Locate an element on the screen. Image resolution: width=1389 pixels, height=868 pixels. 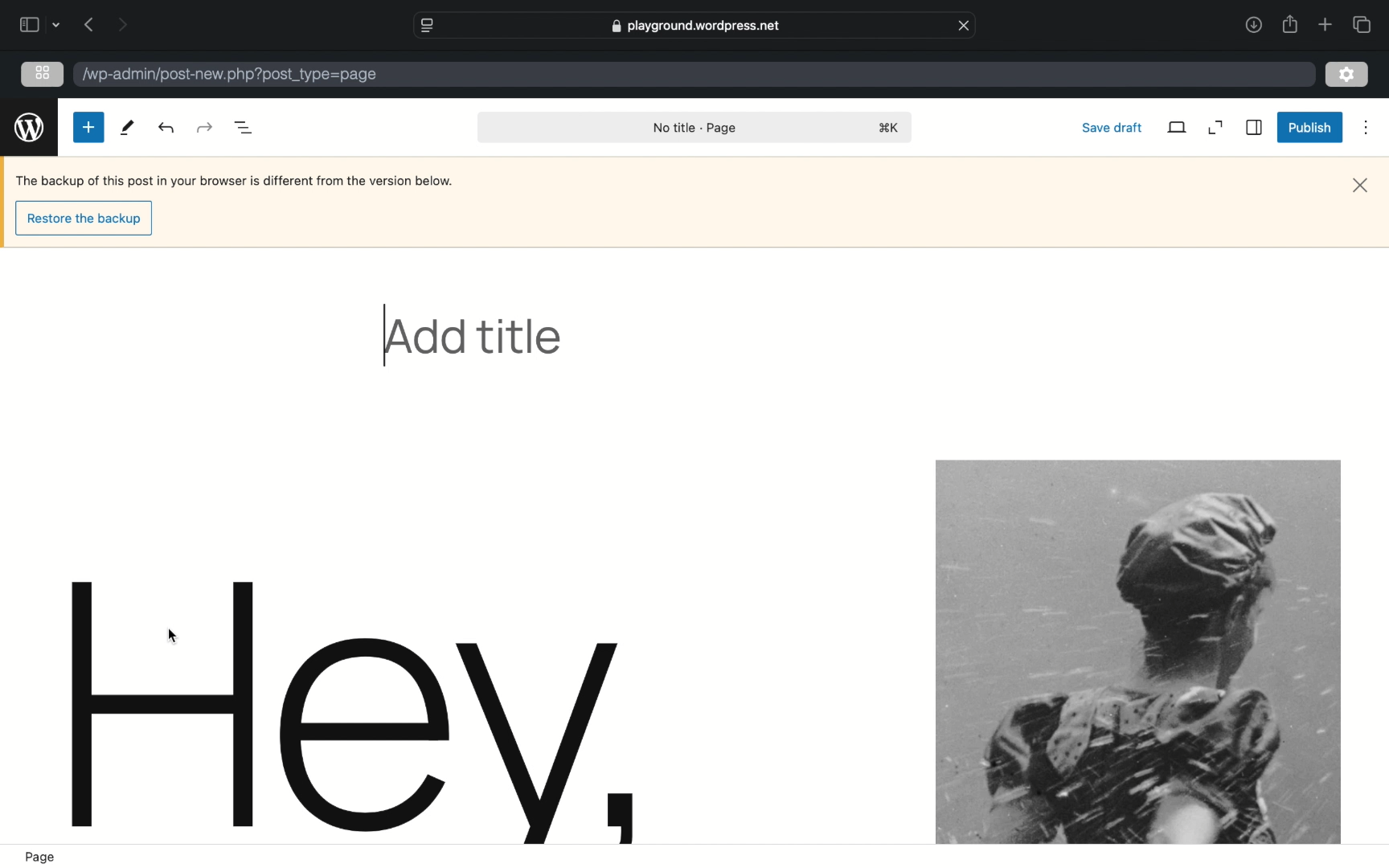
add title is located at coordinates (473, 337).